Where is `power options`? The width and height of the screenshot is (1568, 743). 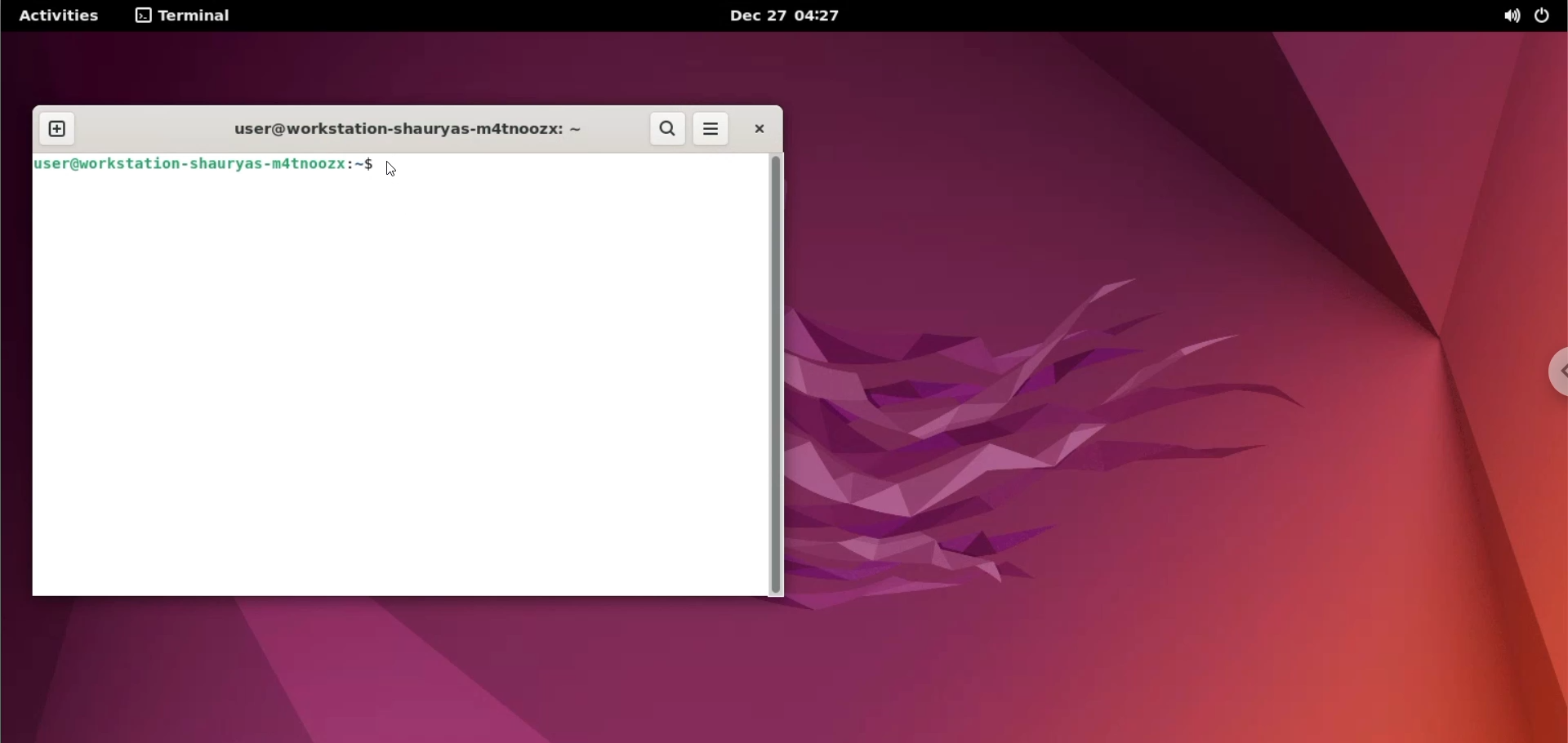 power options is located at coordinates (1548, 17).